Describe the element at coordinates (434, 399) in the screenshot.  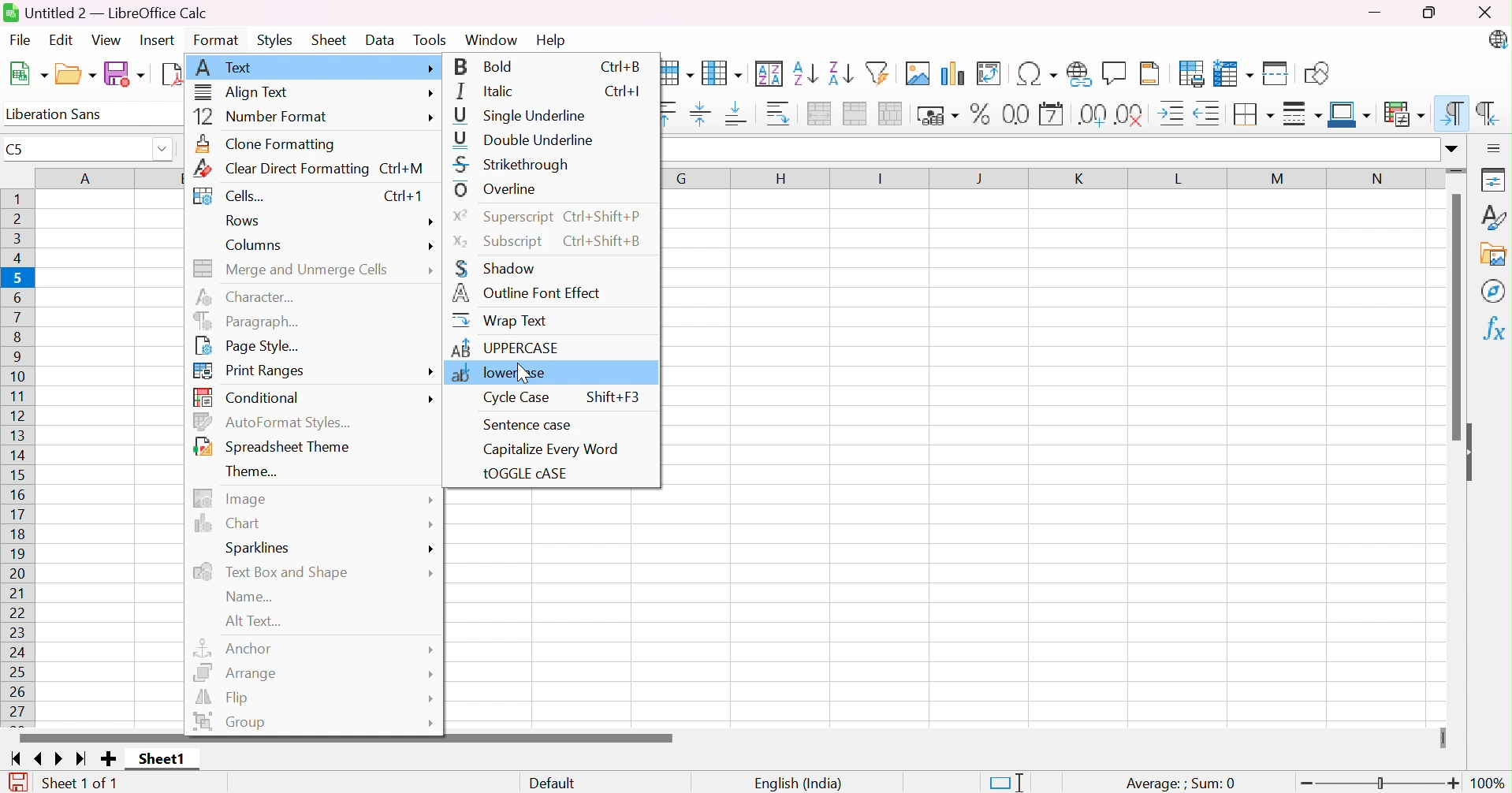
I see `more` at that location.